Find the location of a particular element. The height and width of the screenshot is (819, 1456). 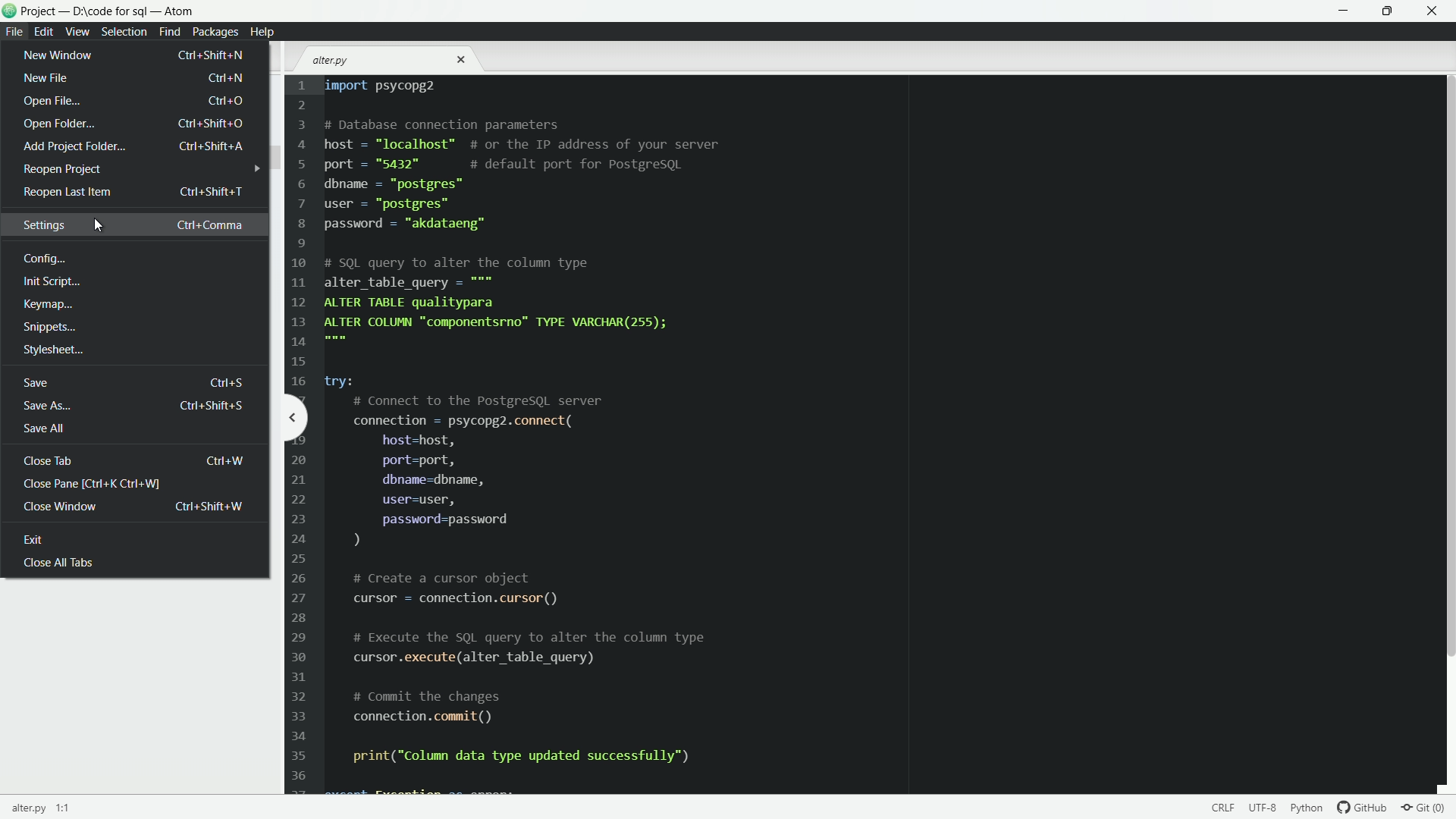

close app is located at coordinates (1434, 11).